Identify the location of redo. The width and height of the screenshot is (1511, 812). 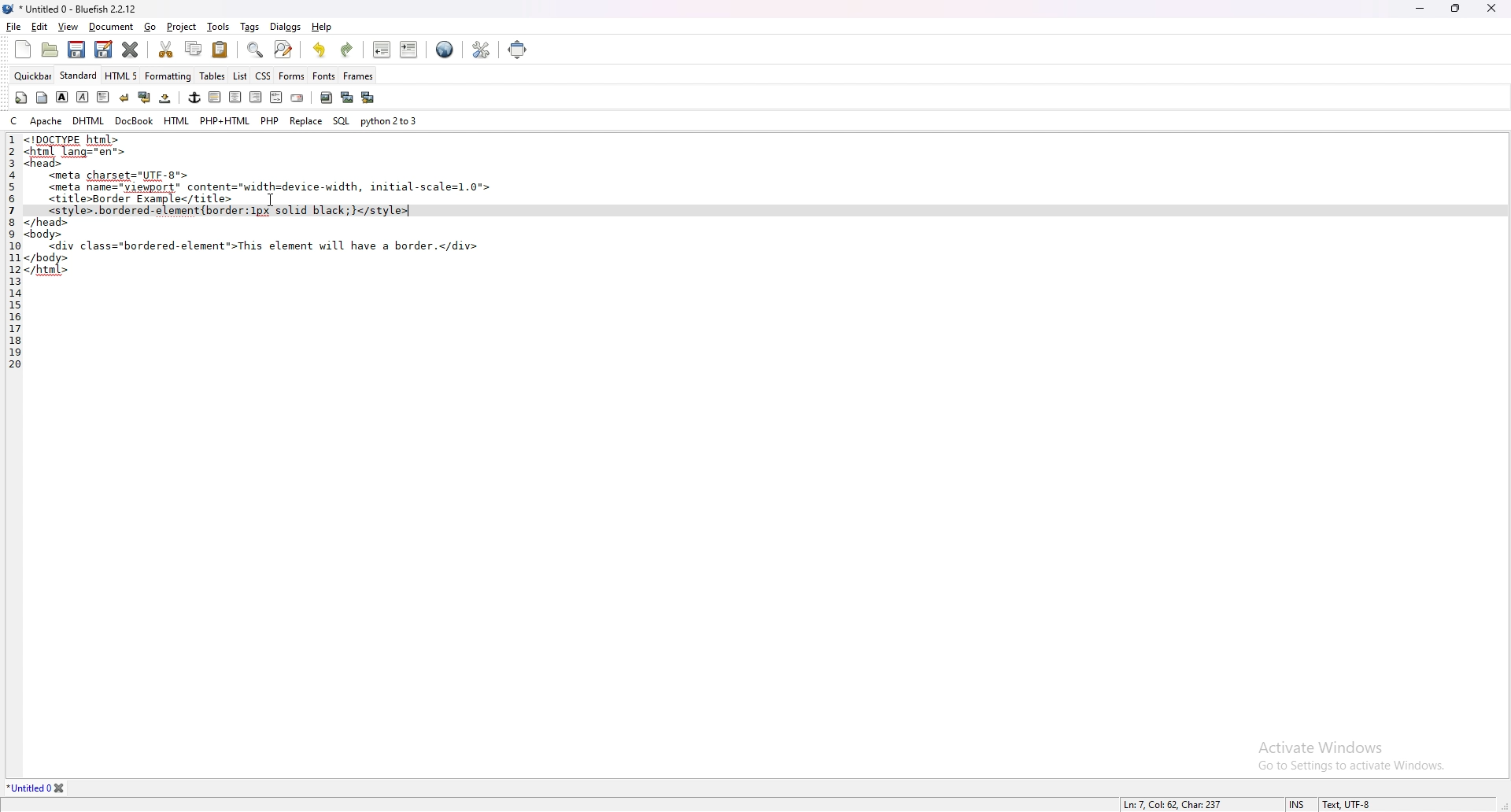
(345, 50).